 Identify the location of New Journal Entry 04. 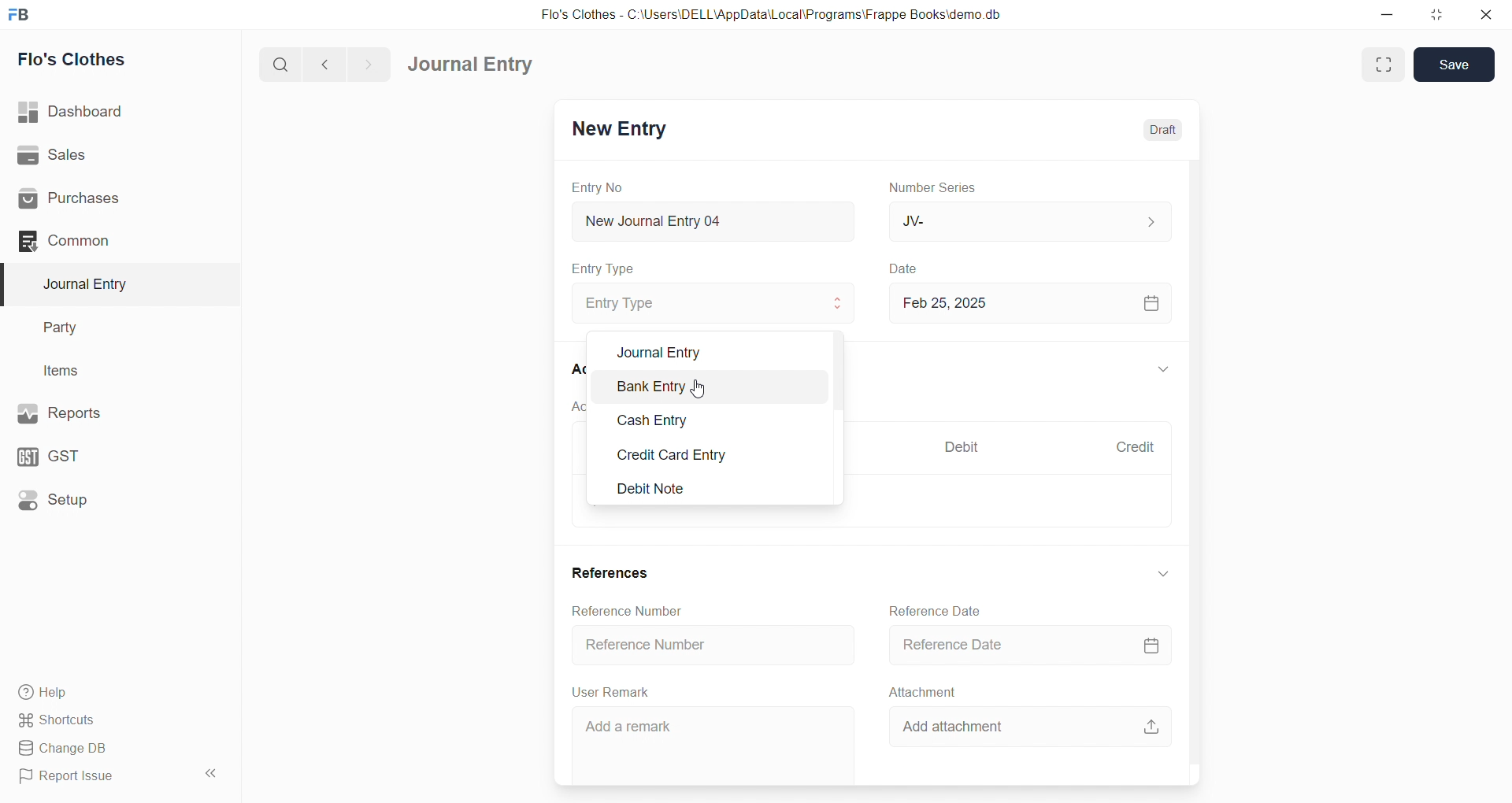
(710, 220).